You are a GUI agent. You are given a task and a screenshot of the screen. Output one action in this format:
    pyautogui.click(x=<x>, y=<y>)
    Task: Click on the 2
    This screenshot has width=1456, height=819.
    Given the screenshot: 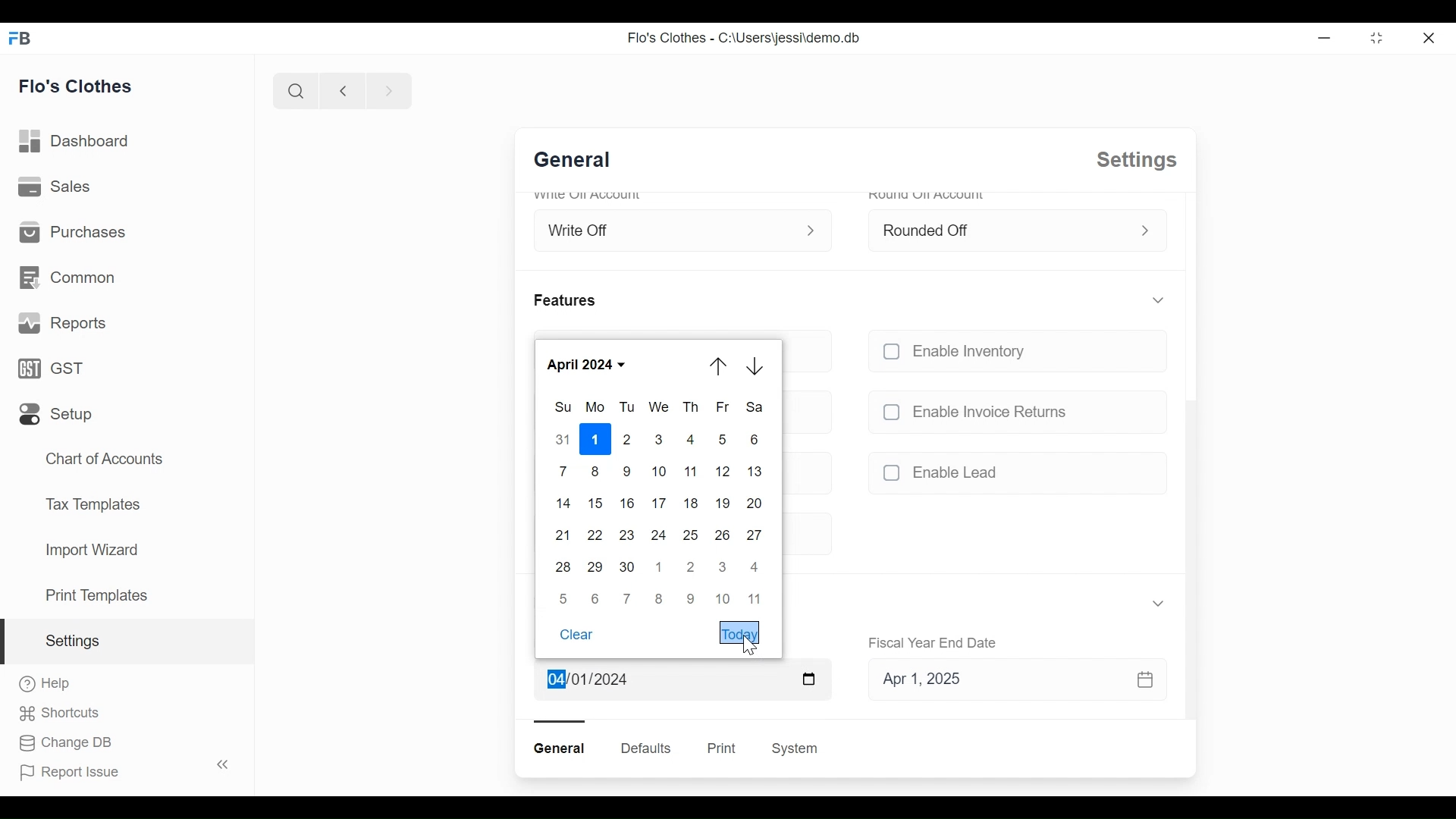 What is the action you would take?
    pyautogui.click(x=628, y=441)
    